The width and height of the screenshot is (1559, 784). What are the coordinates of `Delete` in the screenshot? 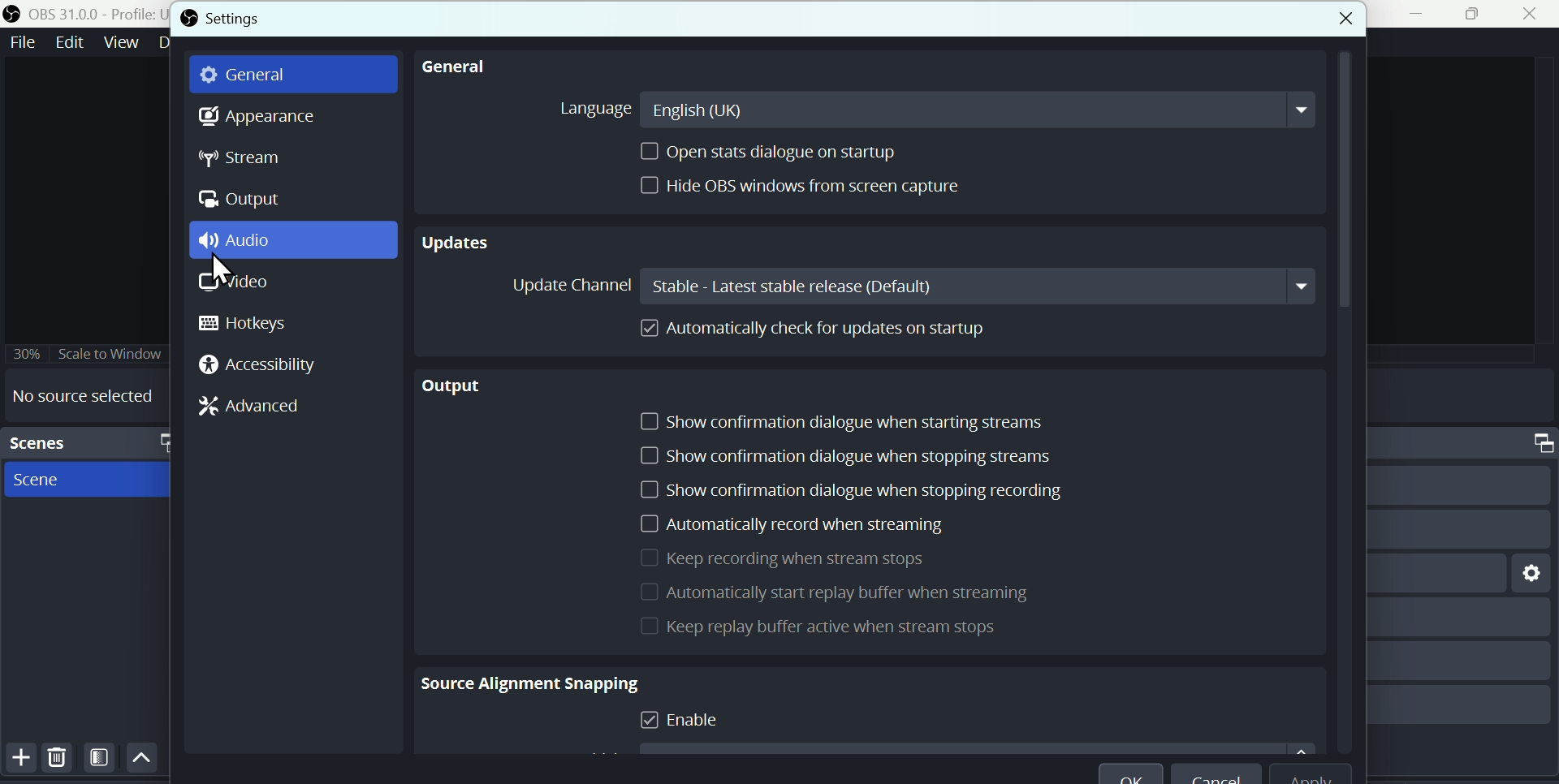 It's located at (57, 760).